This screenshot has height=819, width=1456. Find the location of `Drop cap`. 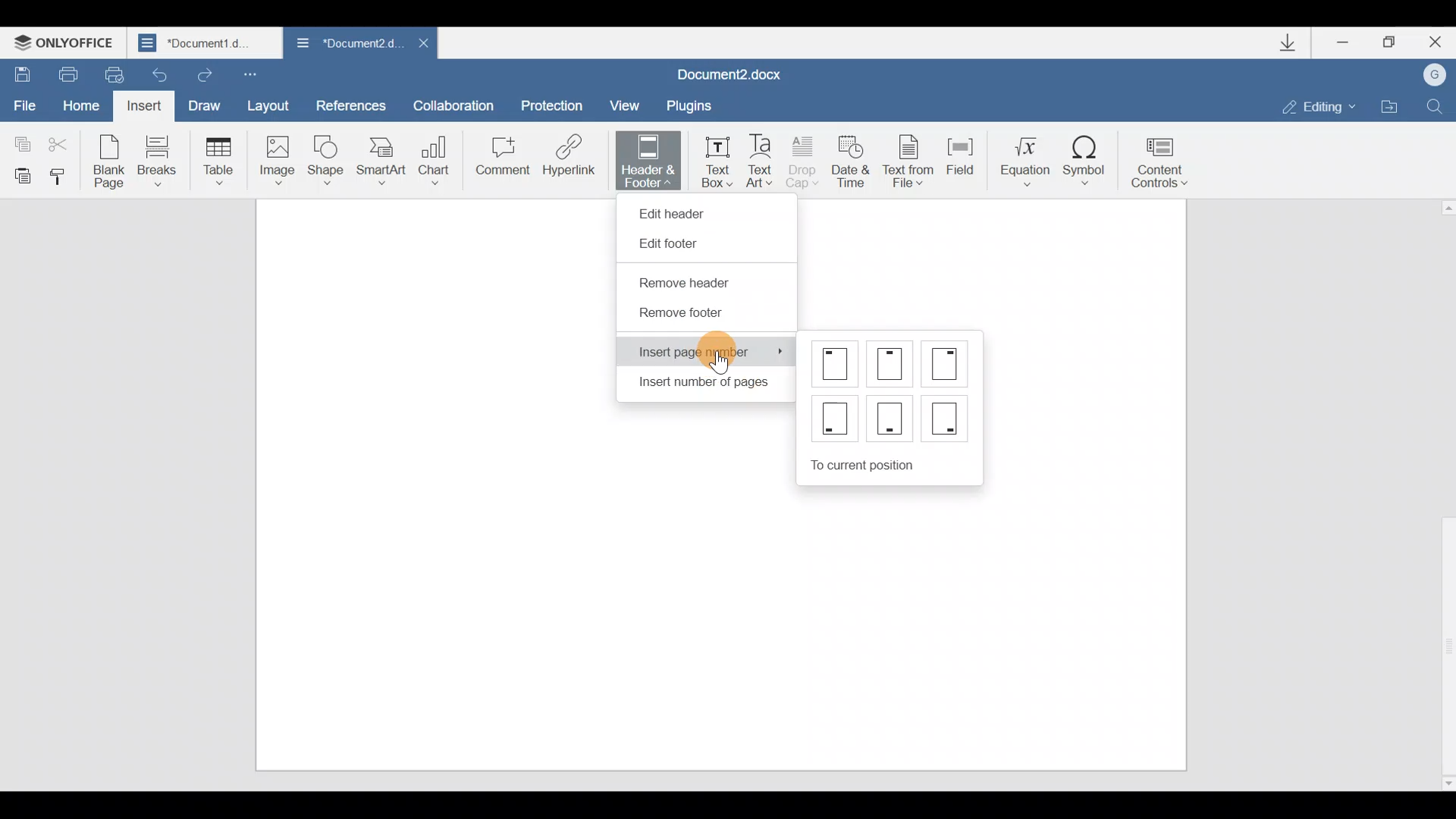

Drop cap is located at coordinates (807, 161).